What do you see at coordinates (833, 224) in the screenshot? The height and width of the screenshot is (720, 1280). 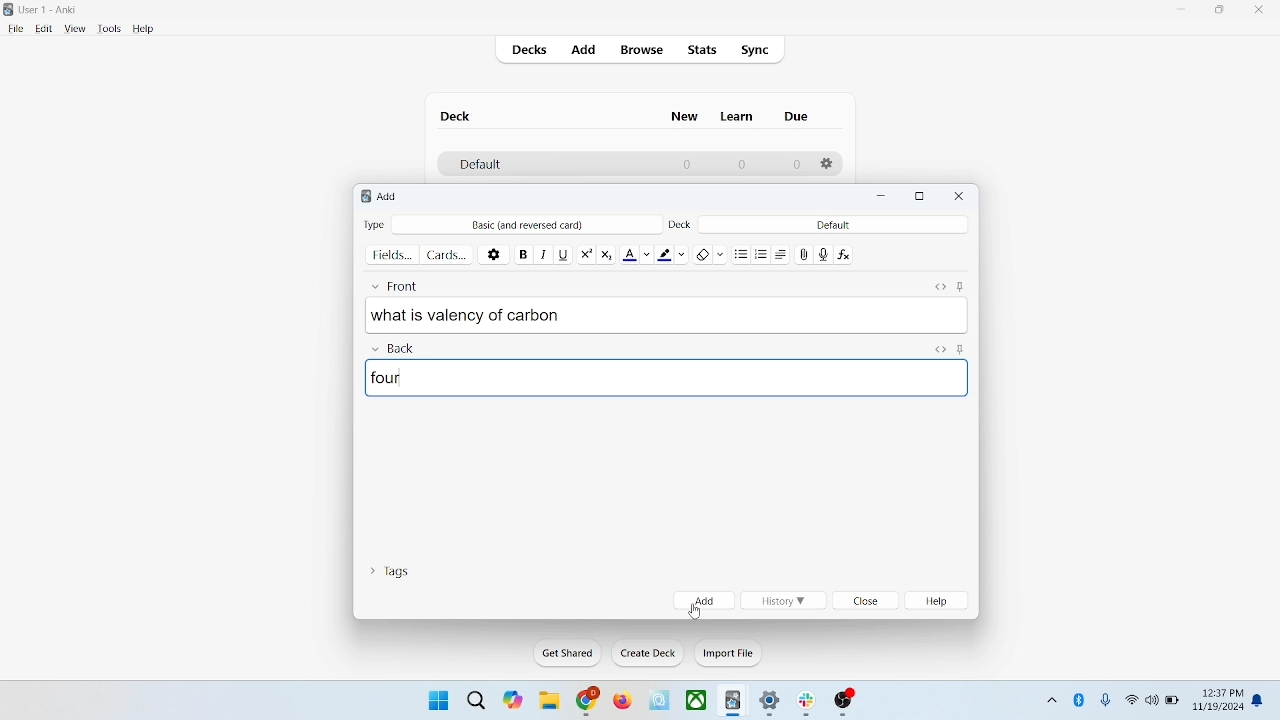 I see `default` at bounding box center [833, 224].